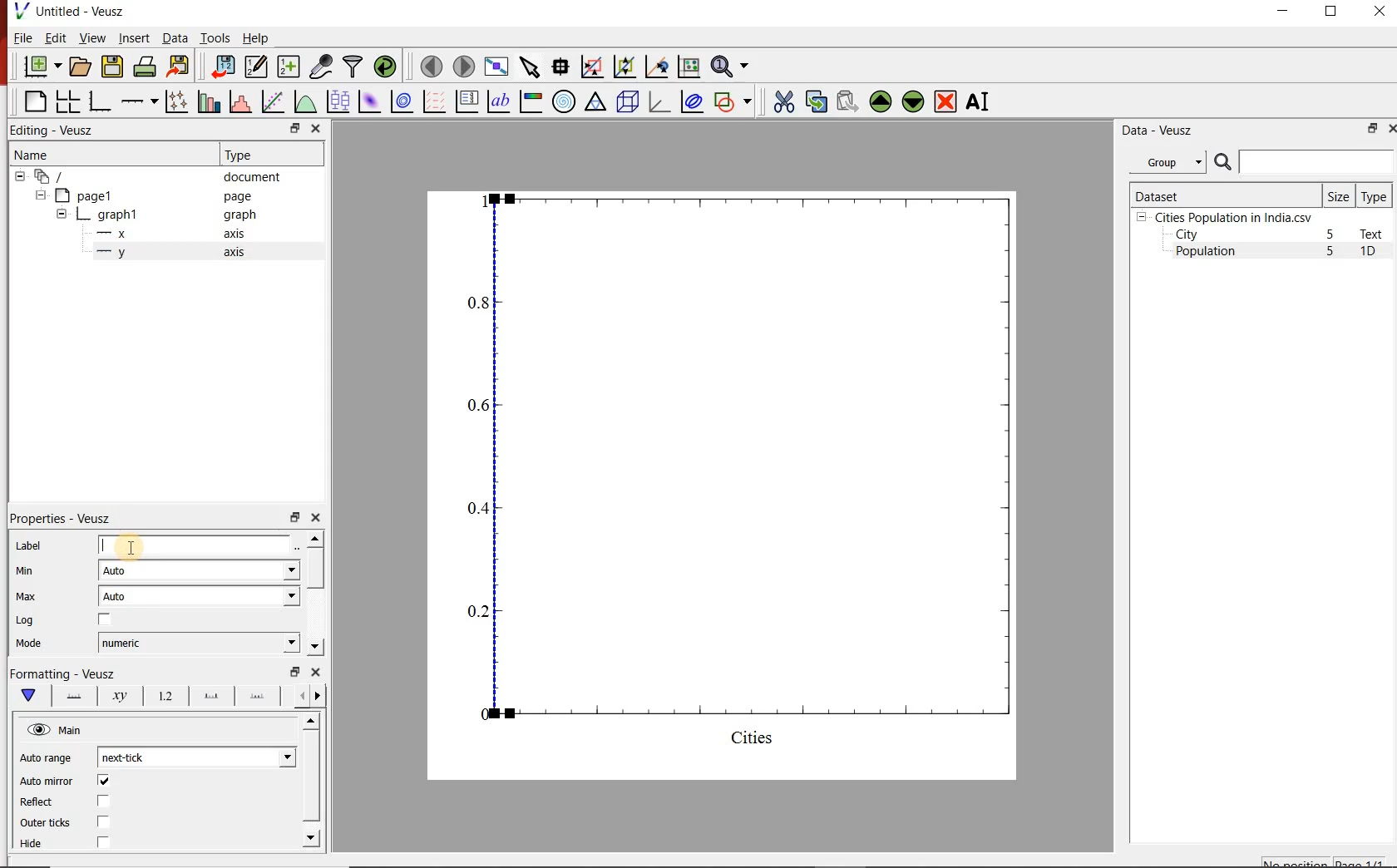 Image resolution: width=1397 pixels, height=868 pixels. What do you see at coordinates (174, 253) in the screenshot?
I see `y axis` at bounding box center [174, 253].